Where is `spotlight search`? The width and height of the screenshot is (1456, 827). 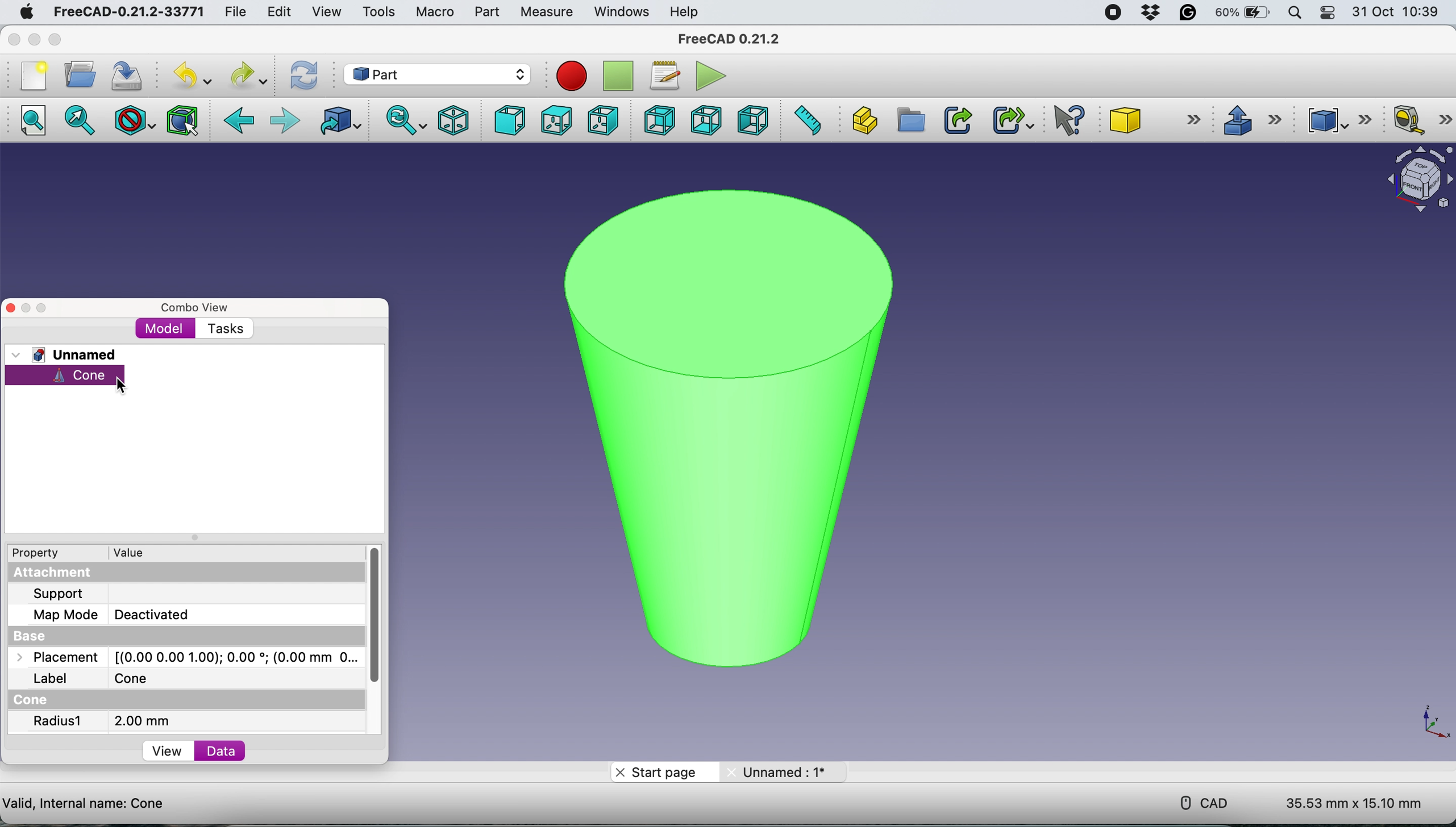 spotlight search is located at coordinates (1295, 12).